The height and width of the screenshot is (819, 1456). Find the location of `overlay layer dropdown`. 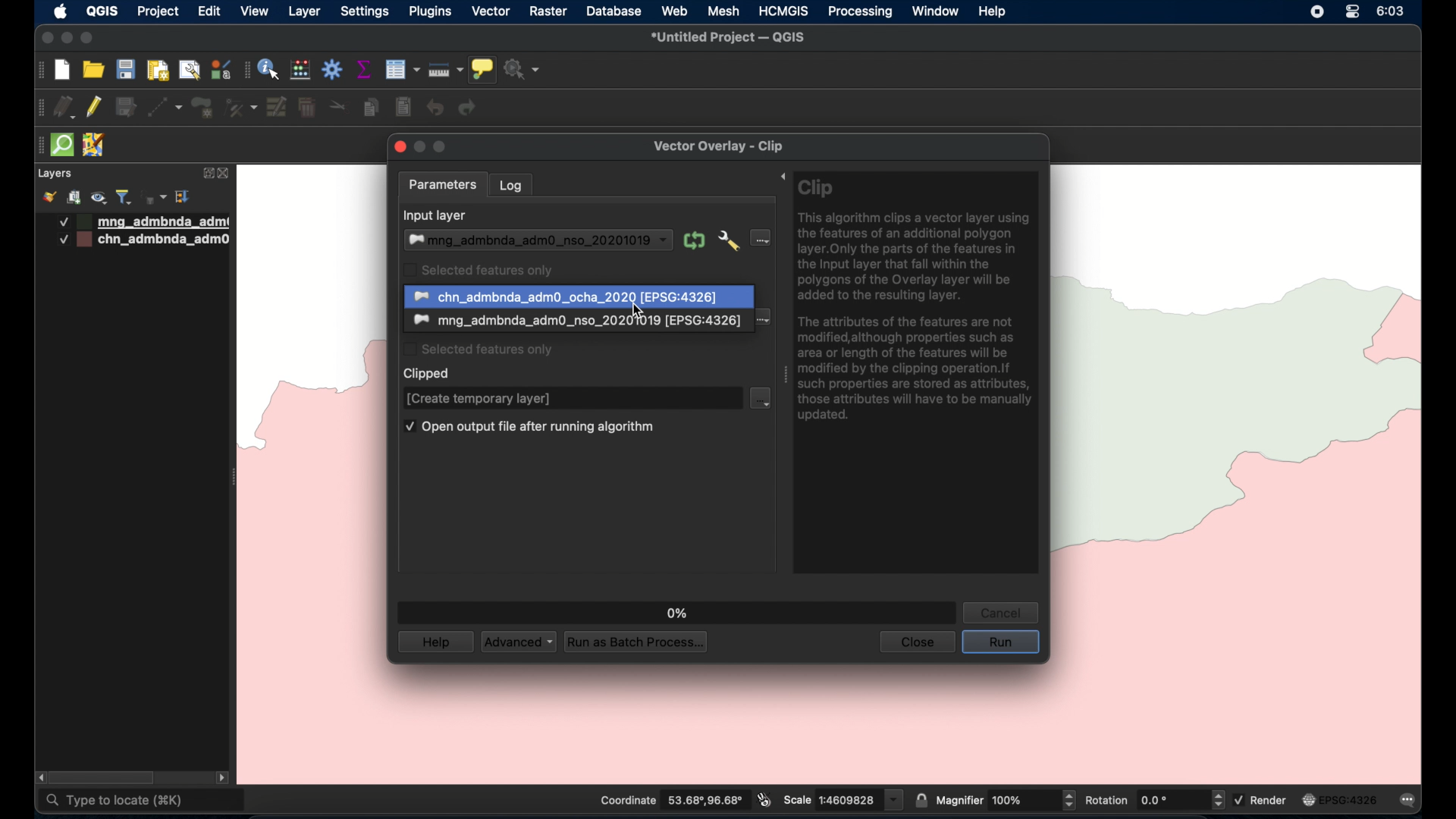

overlay layer dropdown is located at coordinates (574, 322).